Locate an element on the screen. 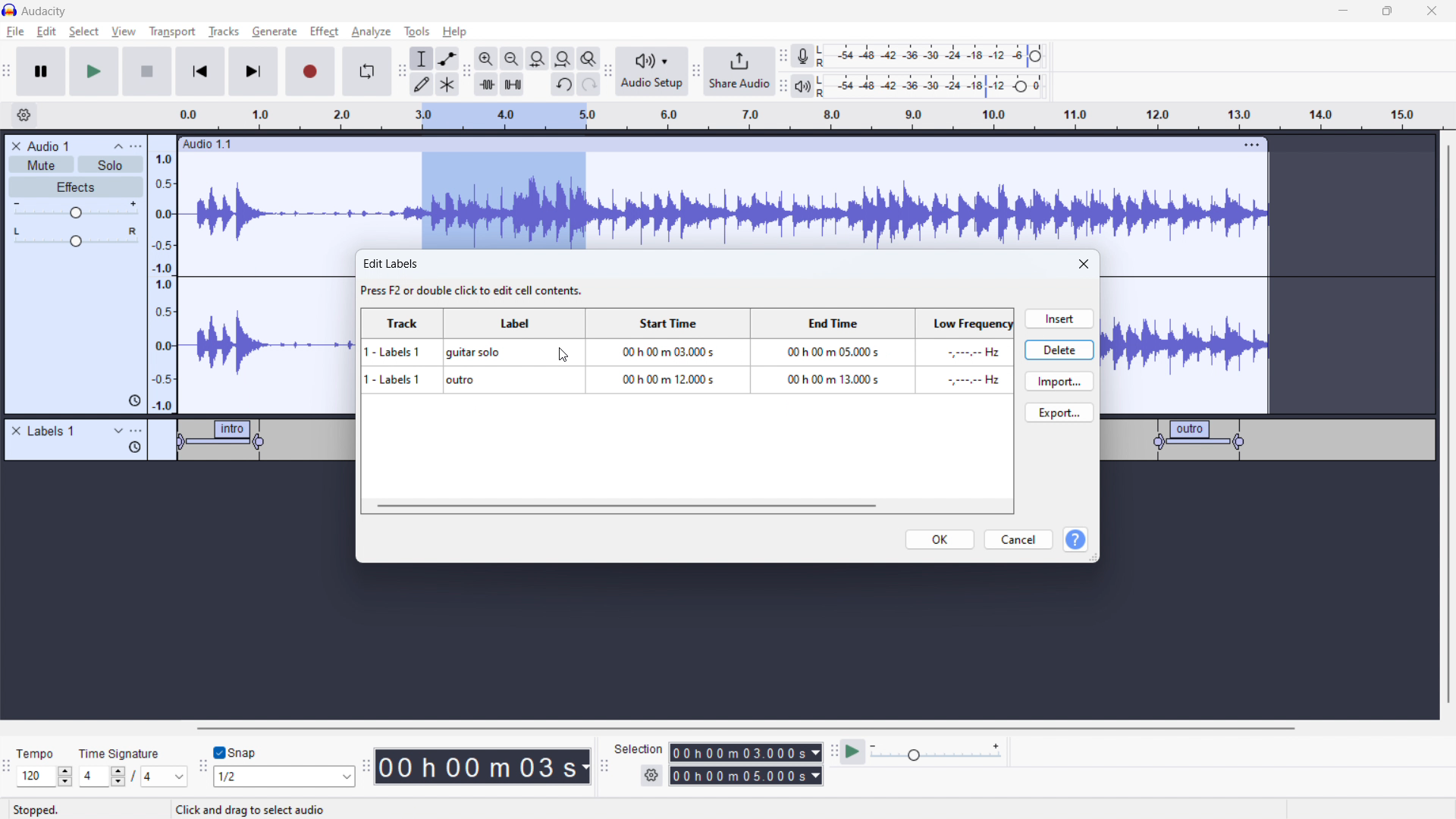 This screenshot has width=1456, height=819. edit labels is located at coordinates (475, 278).